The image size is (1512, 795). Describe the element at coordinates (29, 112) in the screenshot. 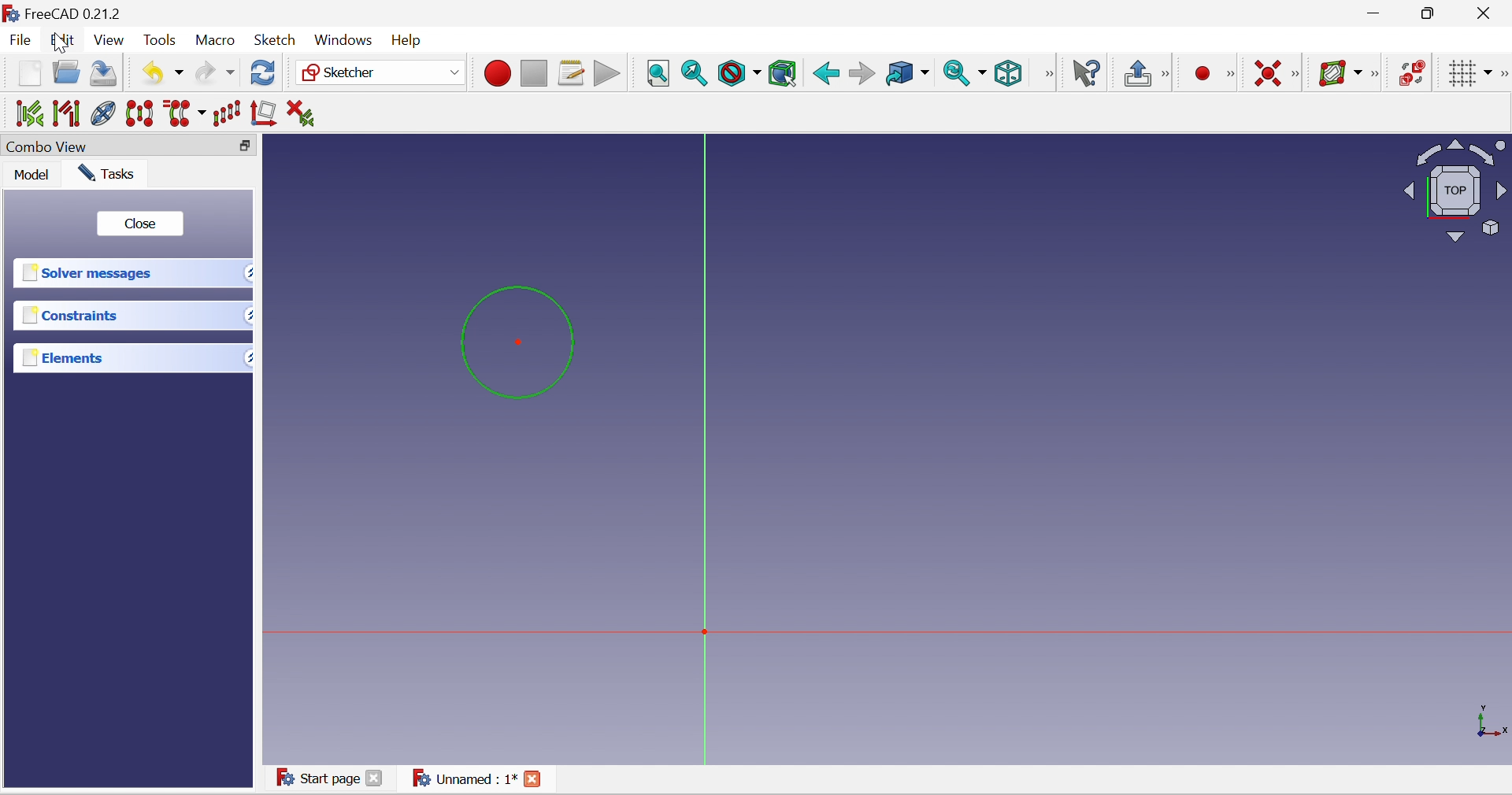

I see `Select associated constraints` at that location.